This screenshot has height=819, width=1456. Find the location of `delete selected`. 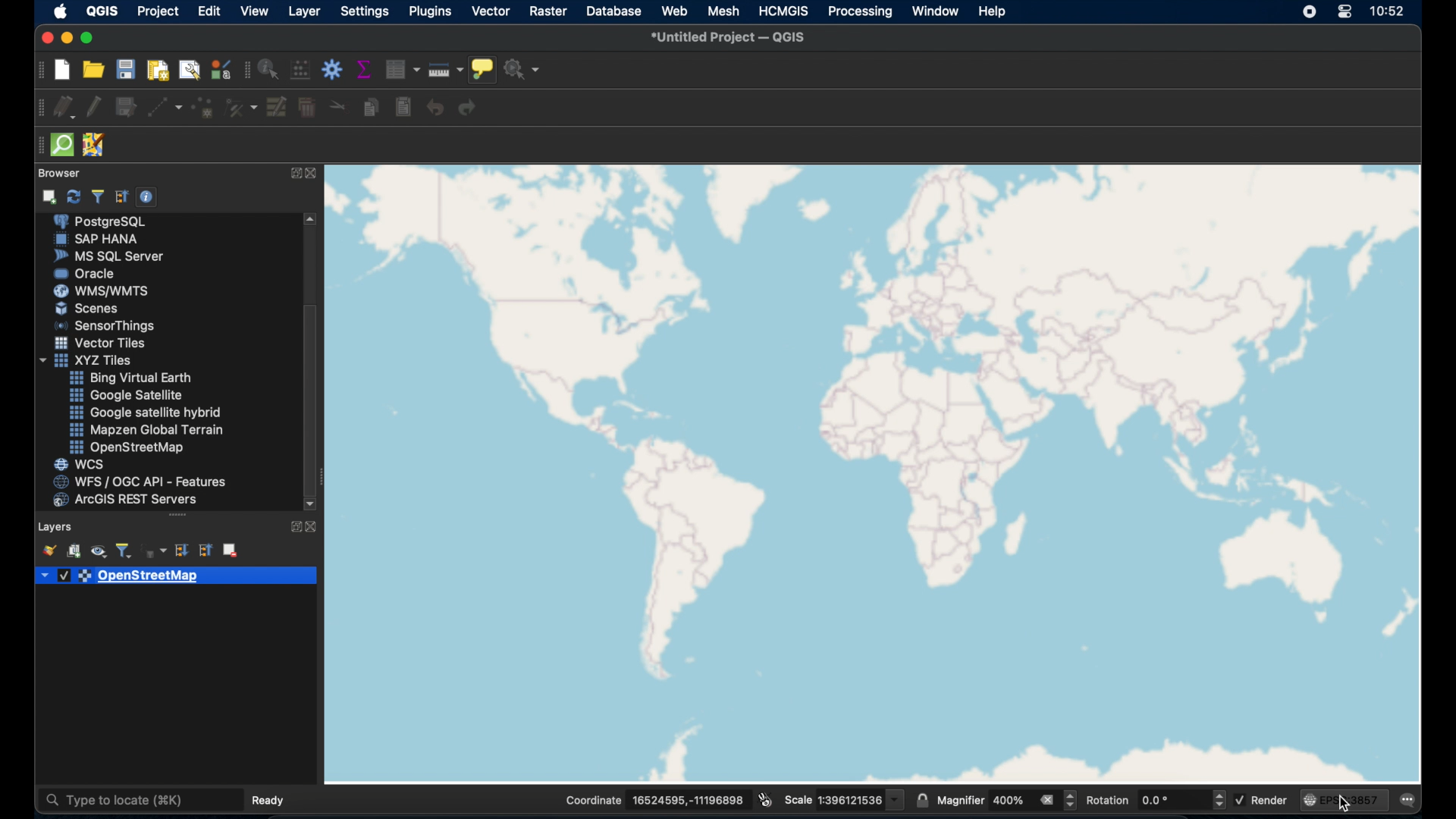

delete selected is located at coordinates (306, 110).